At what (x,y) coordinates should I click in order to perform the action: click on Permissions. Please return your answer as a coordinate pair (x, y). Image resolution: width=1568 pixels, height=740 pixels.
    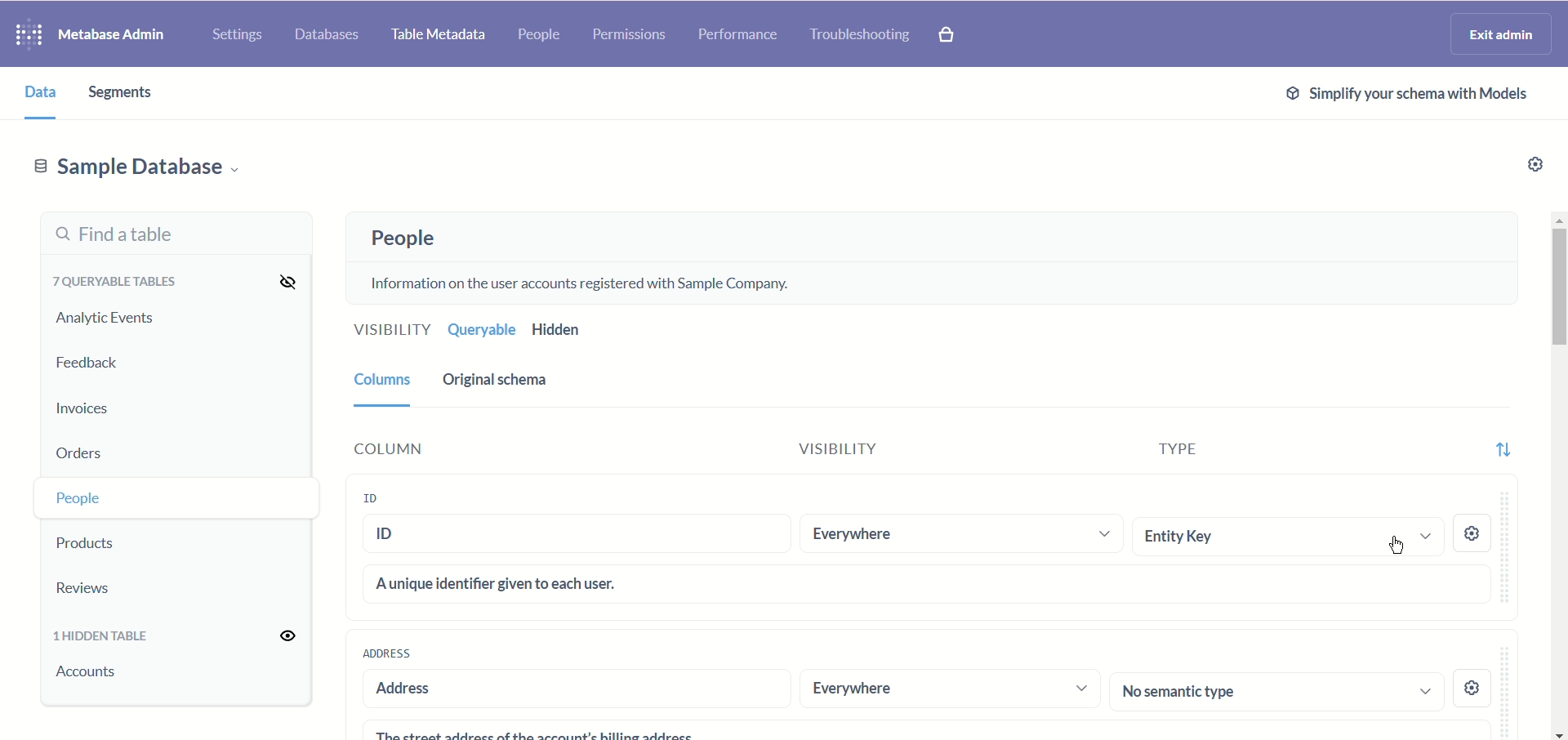
    Looking at the image, I should click on (630, 37).